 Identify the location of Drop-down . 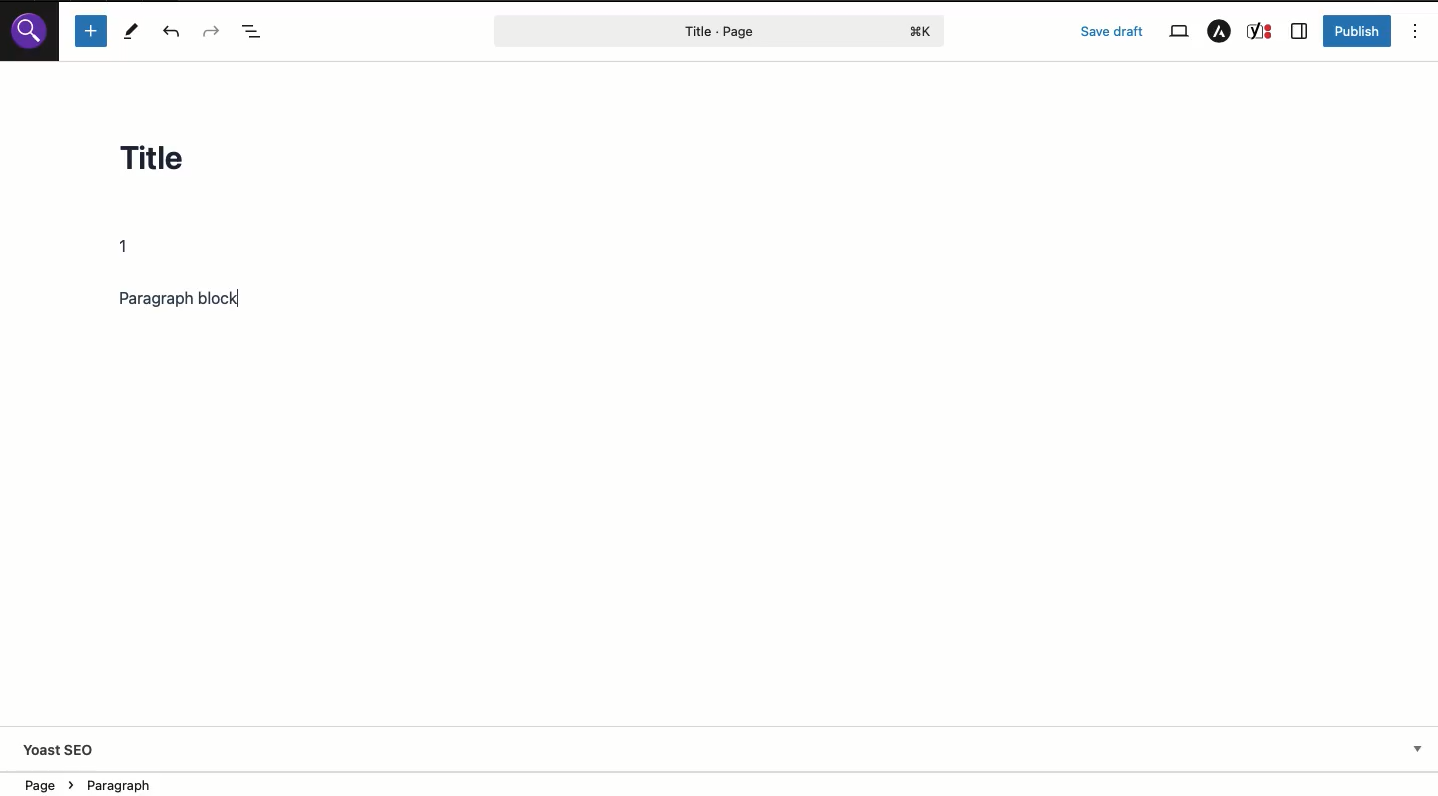
(1418, 749).